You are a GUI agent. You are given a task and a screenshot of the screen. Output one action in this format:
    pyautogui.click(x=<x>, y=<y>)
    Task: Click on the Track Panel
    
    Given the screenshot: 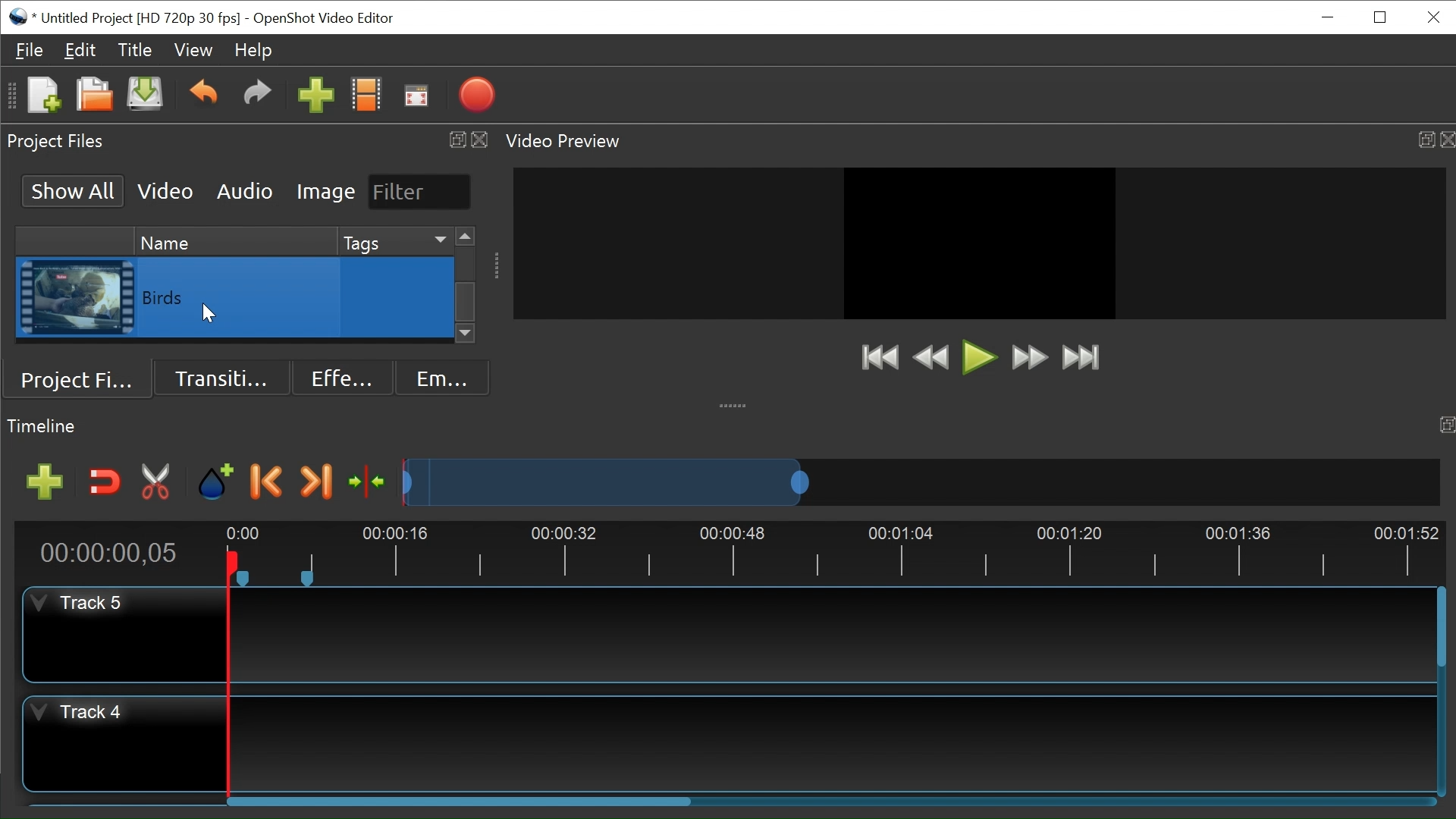 What is the action you would take?
    pyautogui.click(x=831, y=633)
    